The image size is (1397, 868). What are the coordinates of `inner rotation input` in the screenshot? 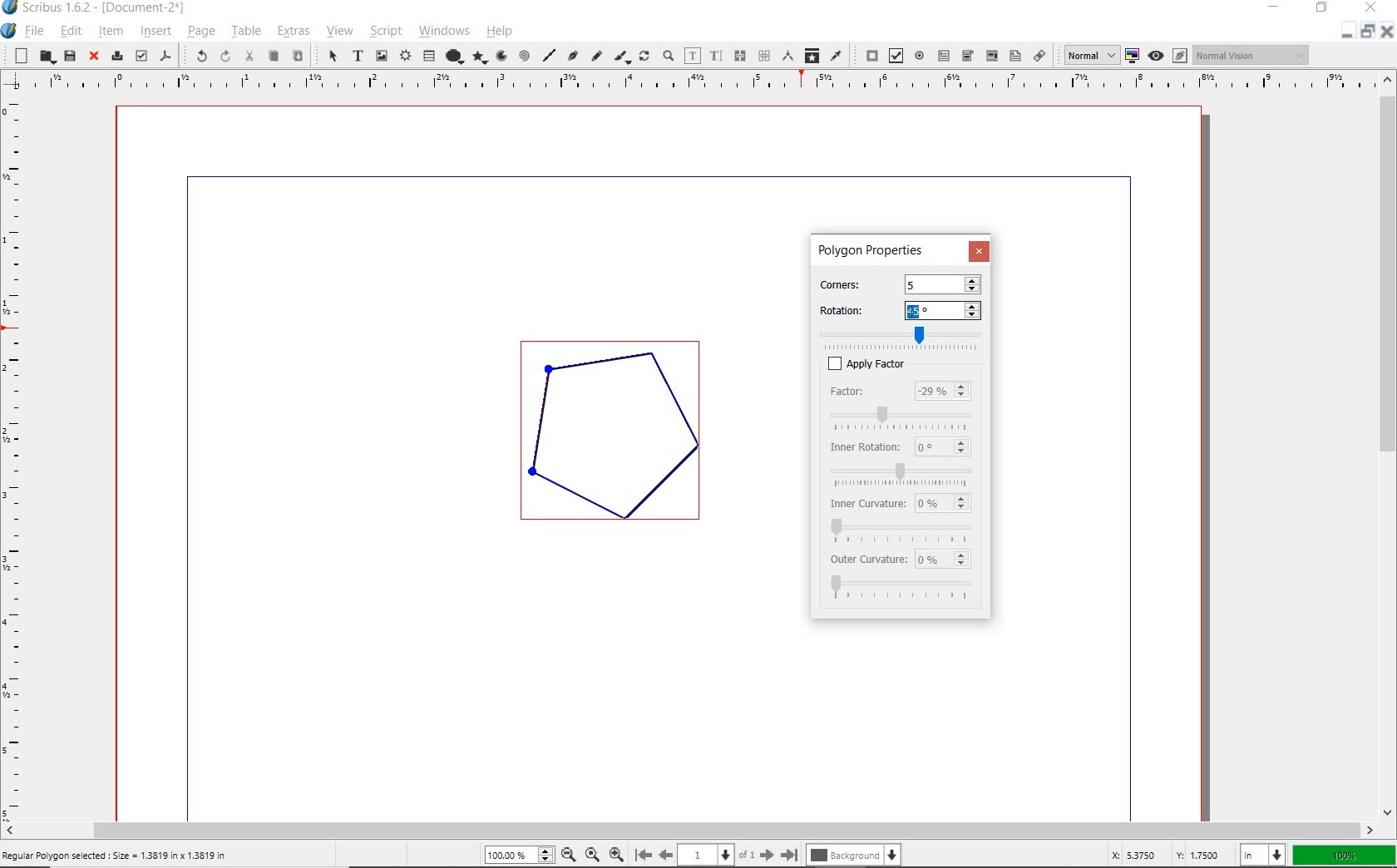 It's located at (942, 446).